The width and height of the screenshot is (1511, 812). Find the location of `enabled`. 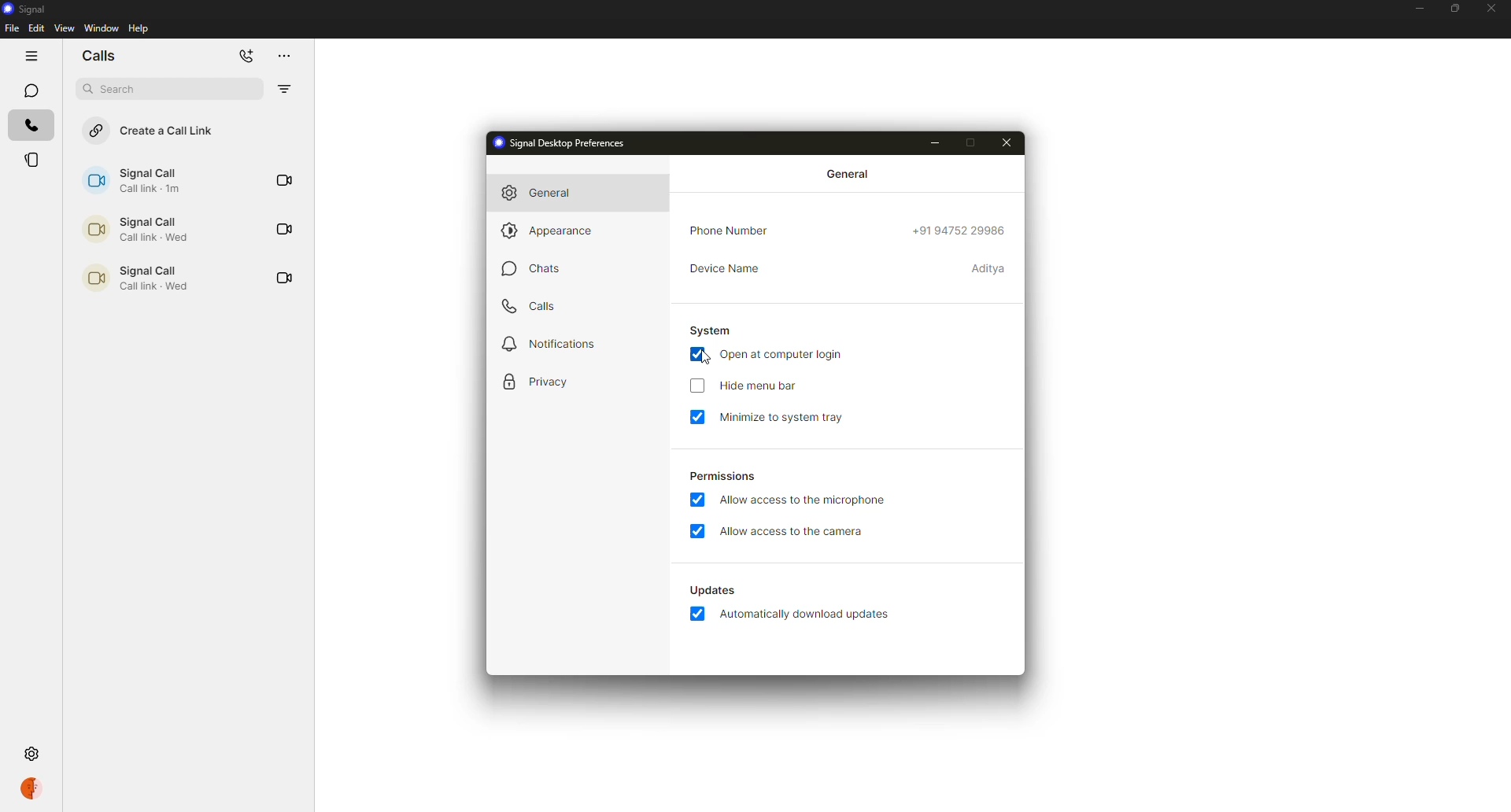

enabled is located at coordinates (696, 530).